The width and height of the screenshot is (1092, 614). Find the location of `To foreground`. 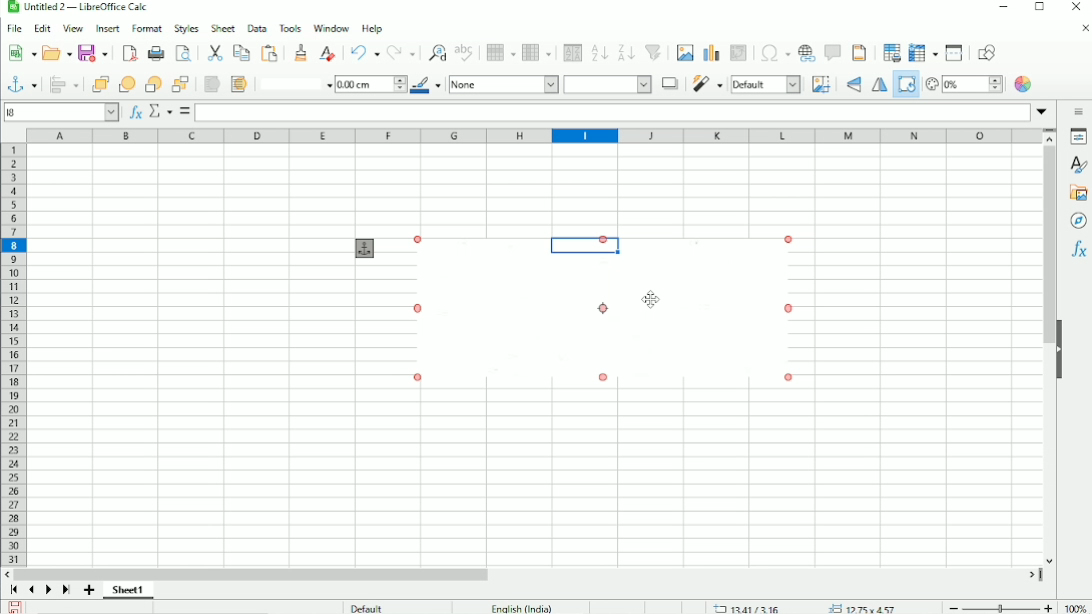

To foreground is located at coordinates (212, 84).